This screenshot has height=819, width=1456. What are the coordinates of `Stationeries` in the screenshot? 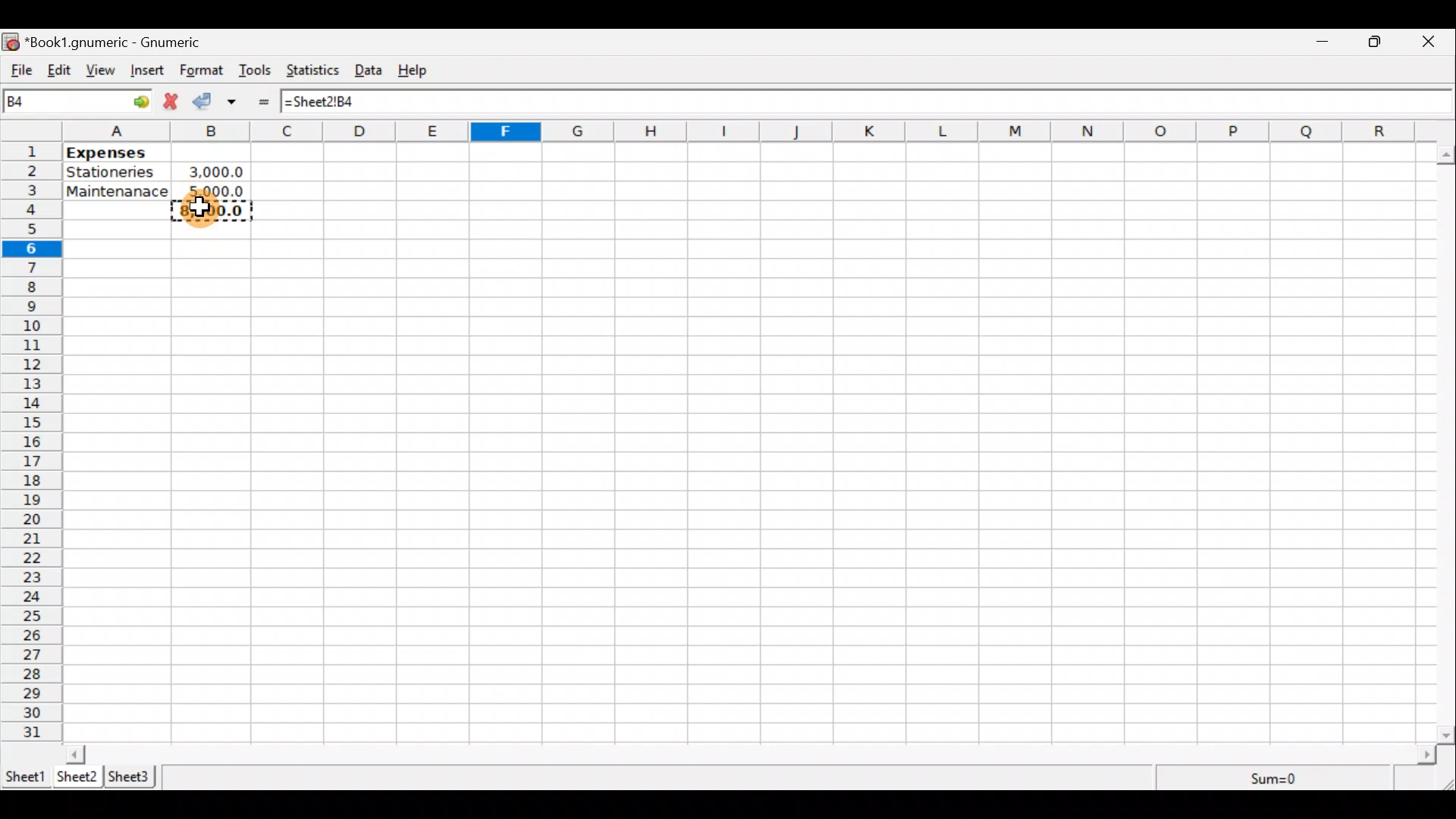 It's located at (120, 173).